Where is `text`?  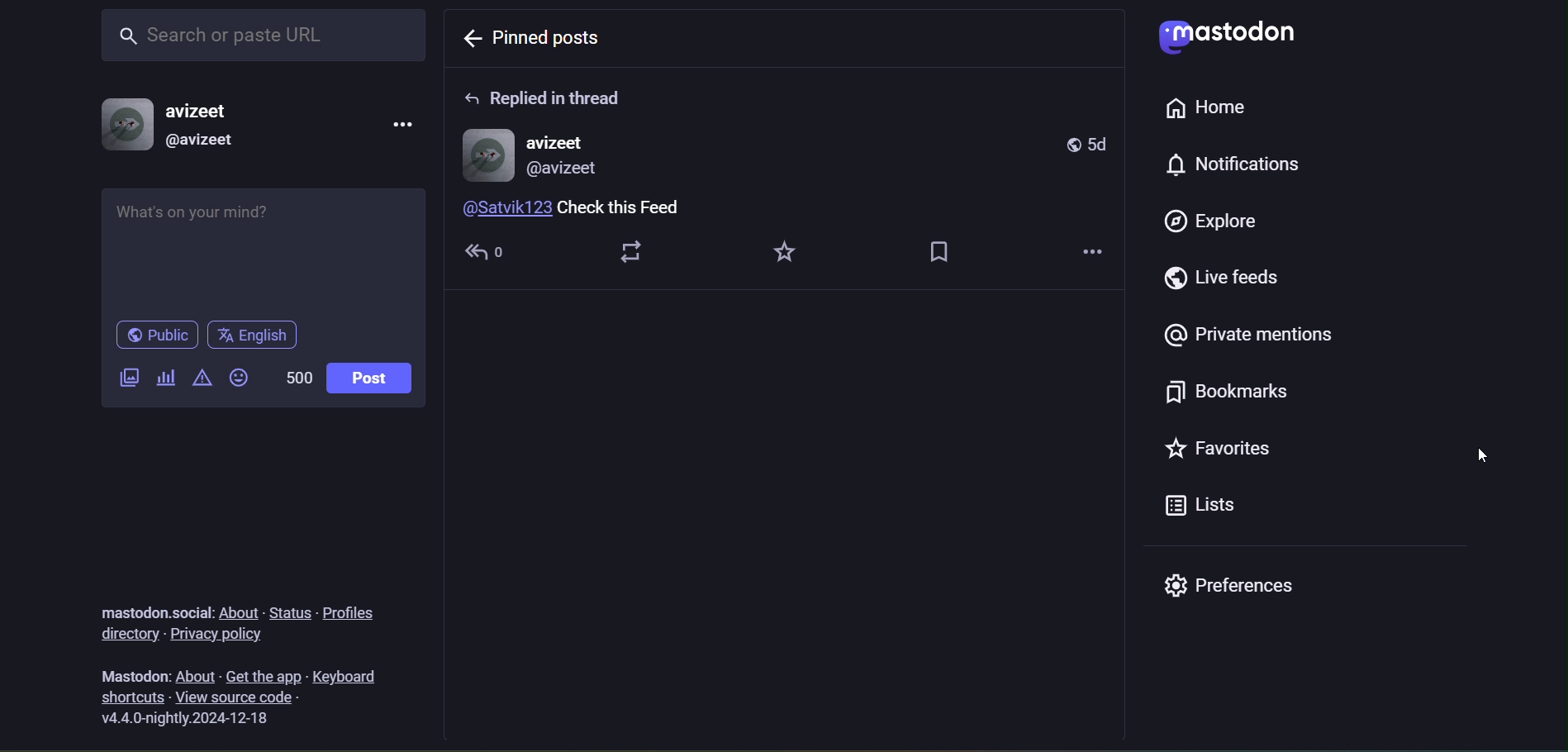 text is located at coordinates (131, 671).